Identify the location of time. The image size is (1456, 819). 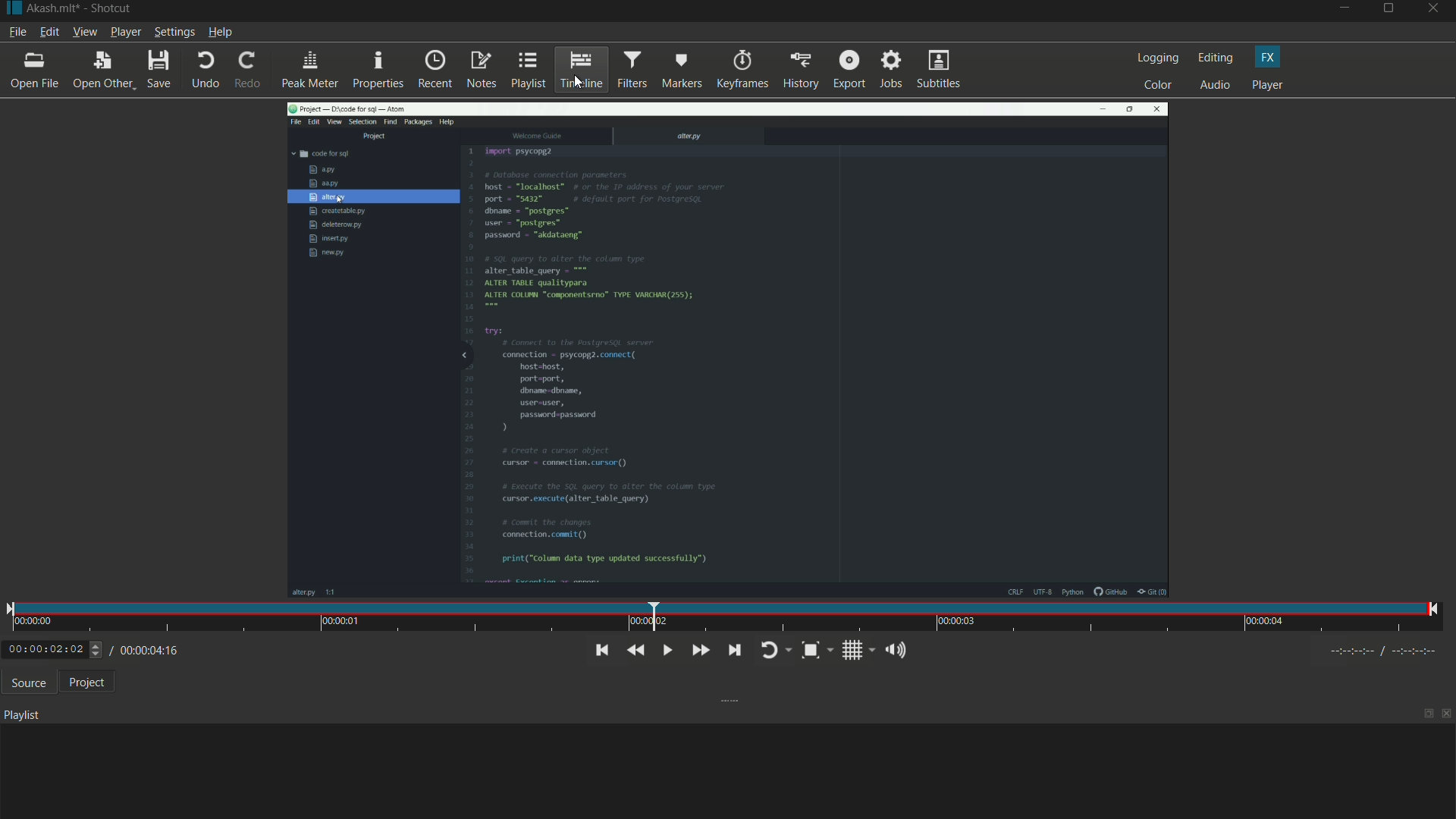
(722, 617).